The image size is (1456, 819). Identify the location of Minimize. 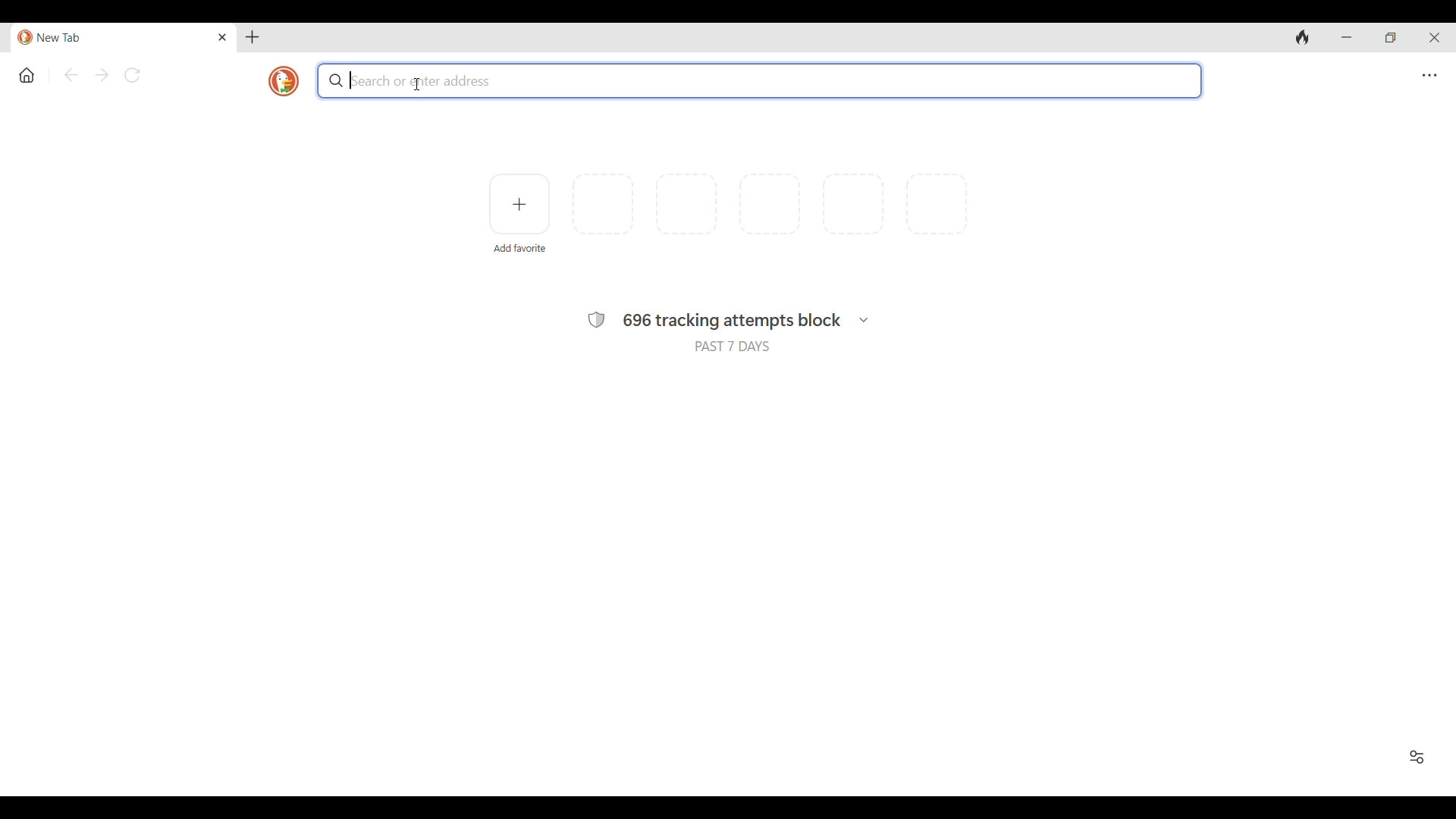
(1346, 38).